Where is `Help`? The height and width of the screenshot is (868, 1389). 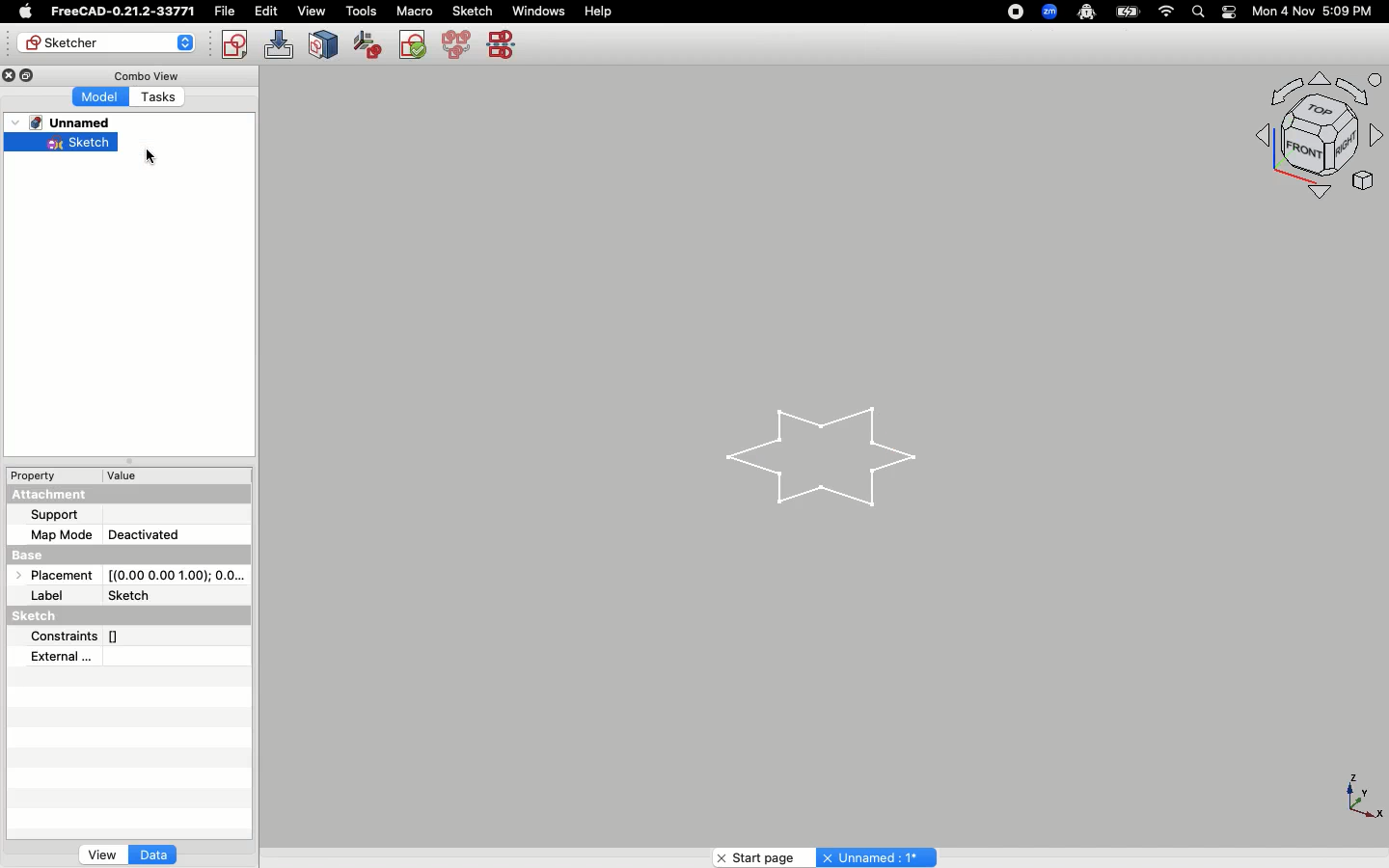 Help is located at coordinates (599, 10).